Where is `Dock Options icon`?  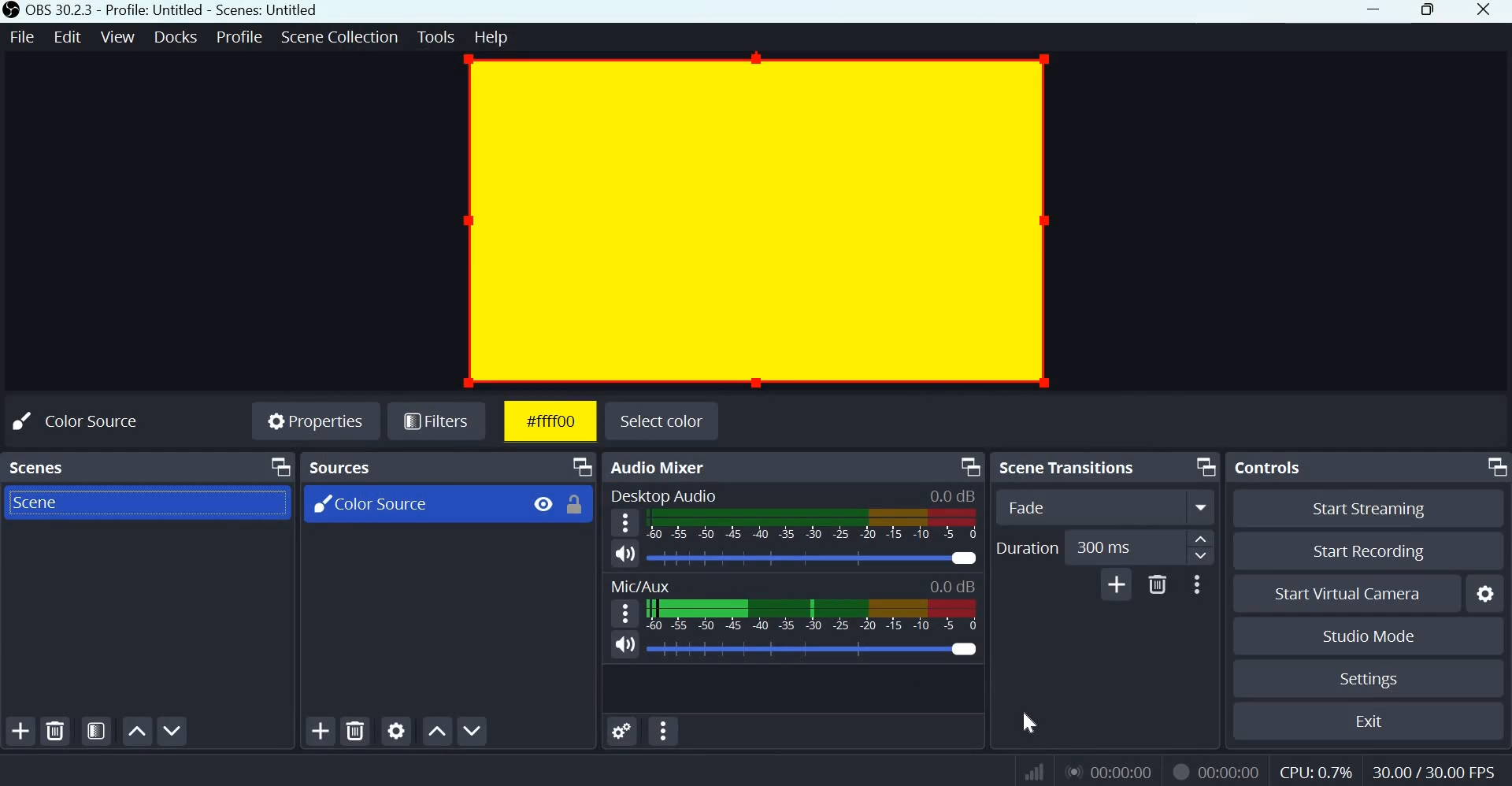
Dock Options icon is located at coordinates (580, 467).